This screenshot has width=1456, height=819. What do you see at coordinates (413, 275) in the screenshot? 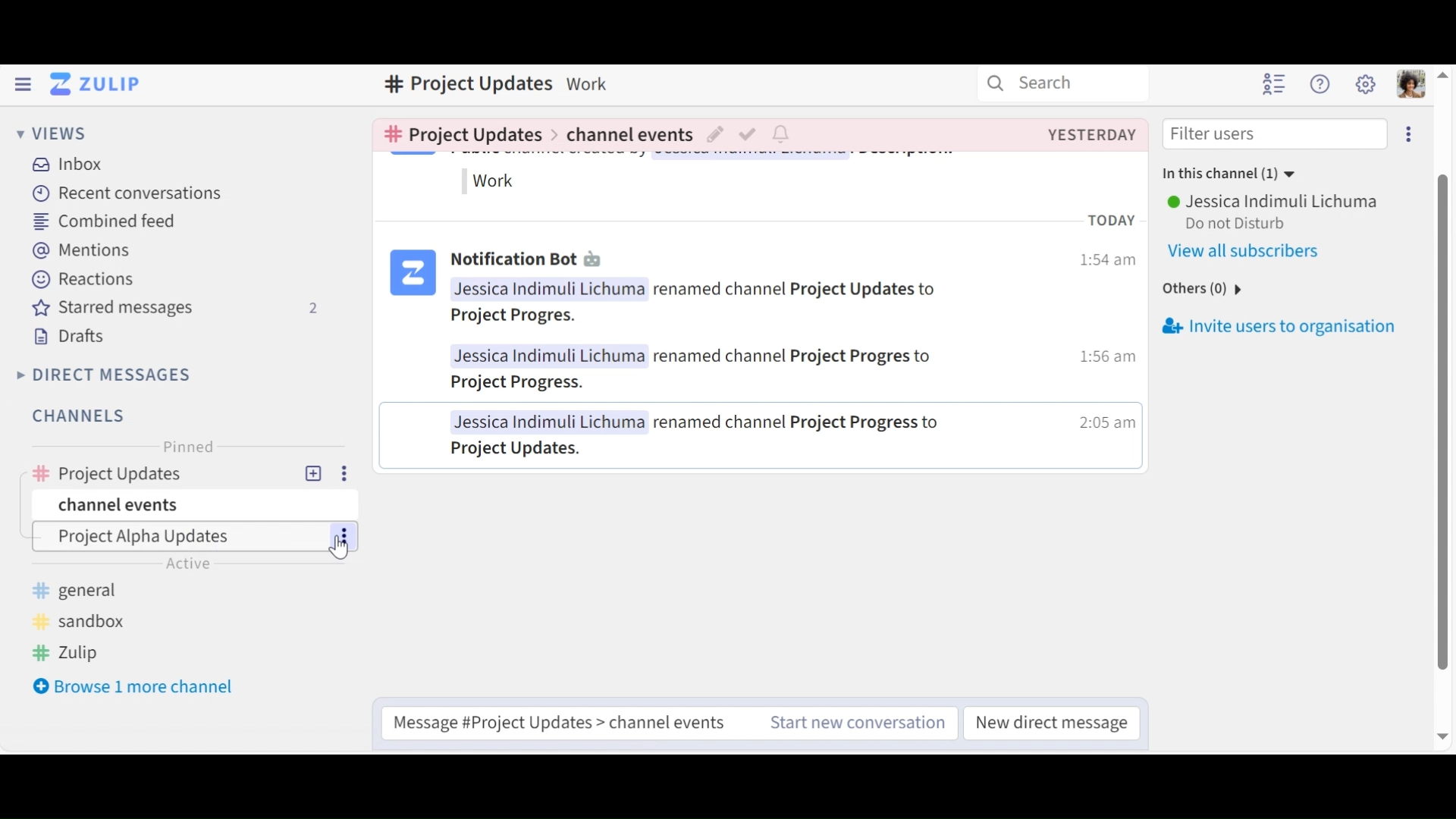
I see `logo` at bounding box center [413, 275].